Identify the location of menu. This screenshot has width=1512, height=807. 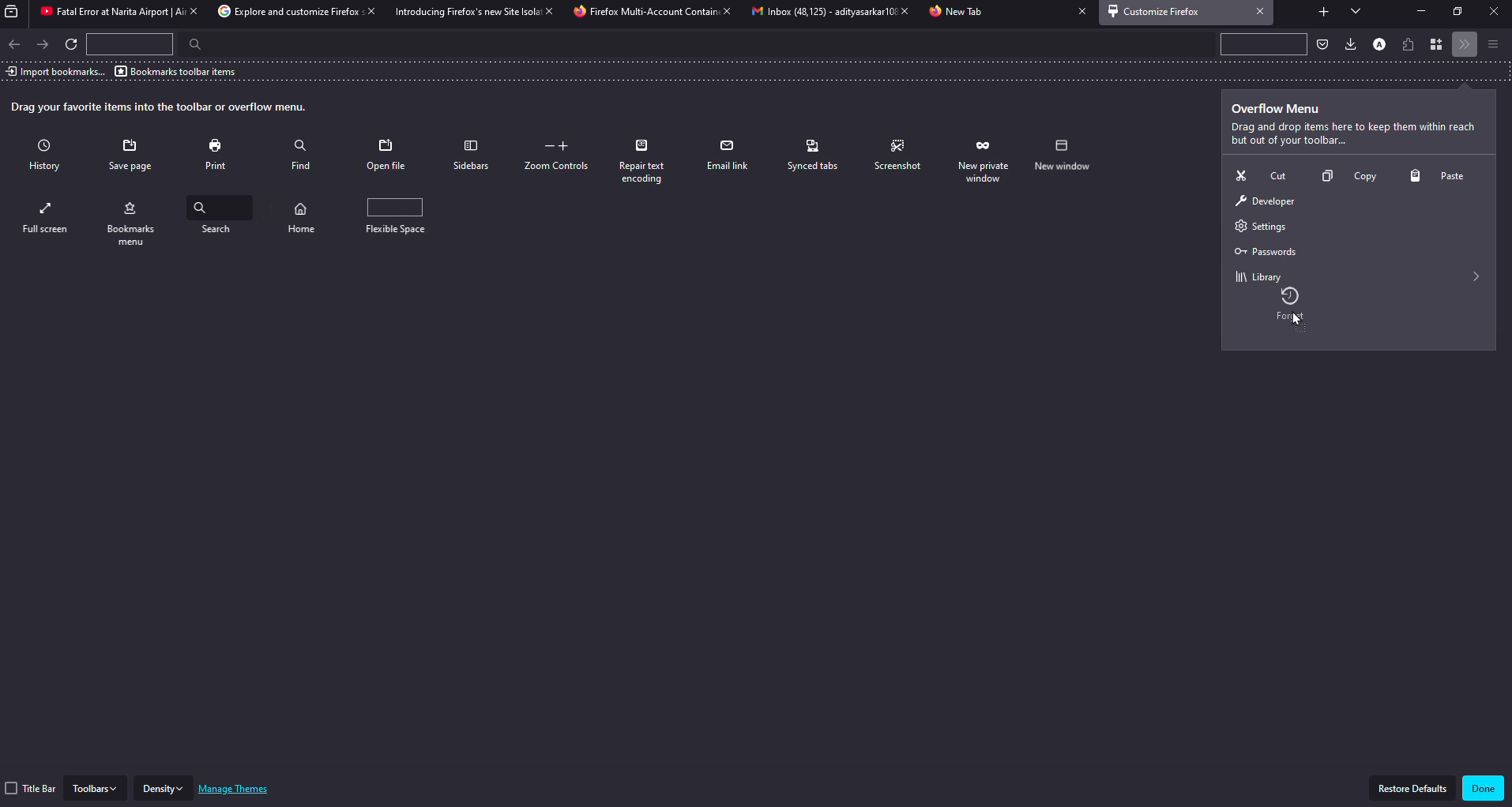
(1492, 43).